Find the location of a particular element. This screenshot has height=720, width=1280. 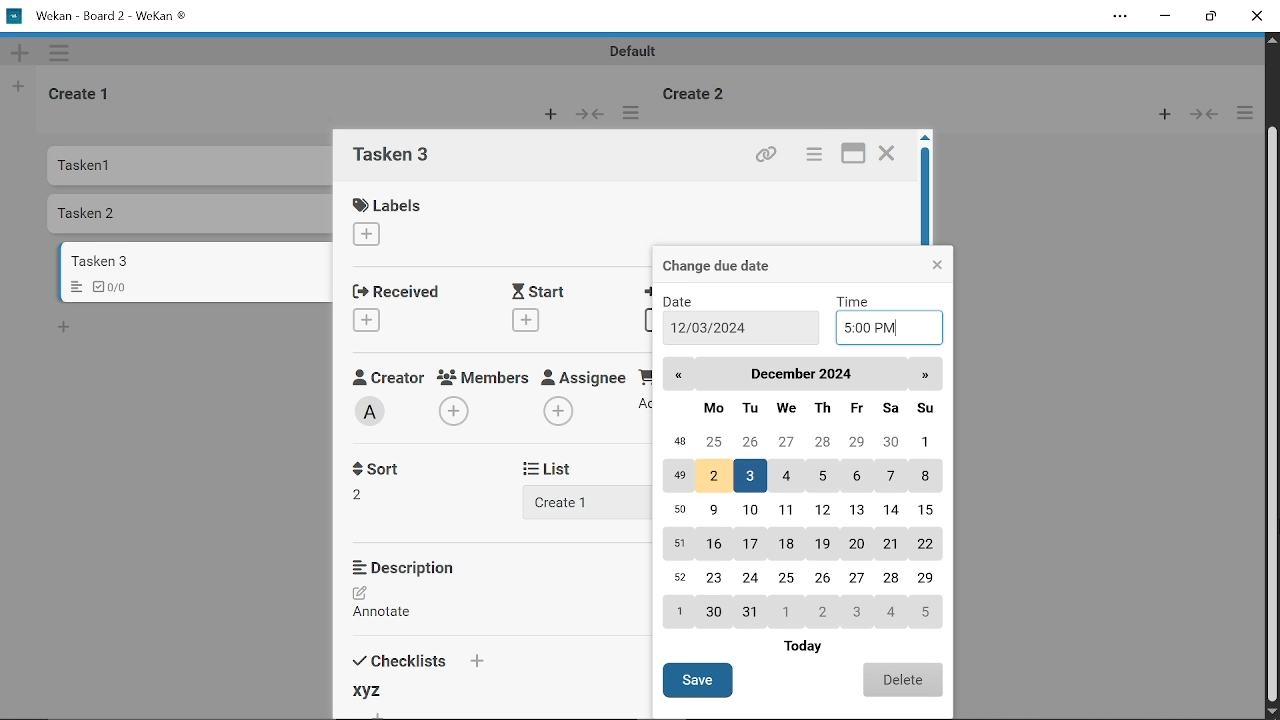

Save is located at coordinates (698, 680).